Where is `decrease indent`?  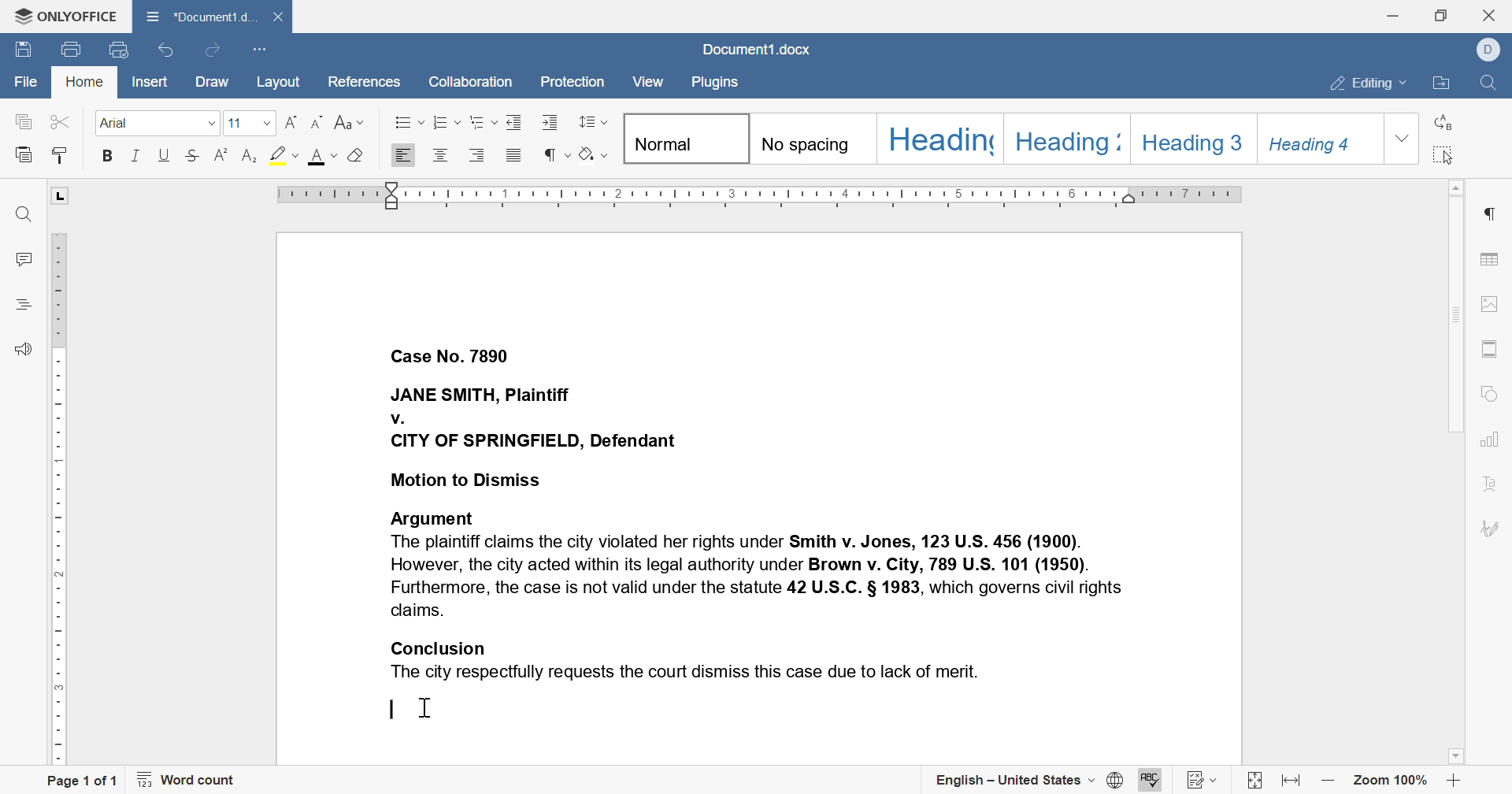
decrease indent is located at coordinates (517, 121).